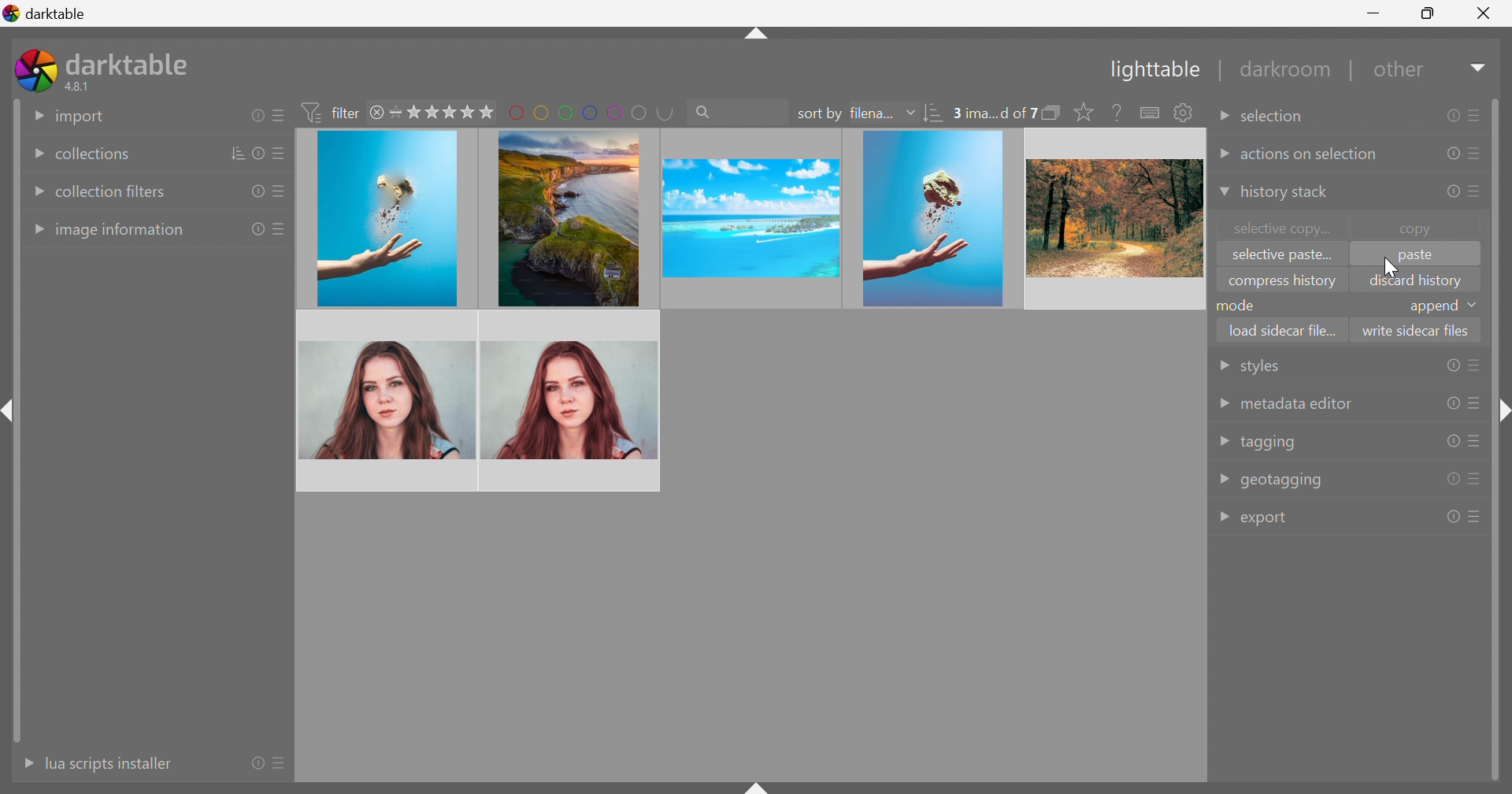  What do you see at coordinates (283, 765) in the screenshot?
I see `presets` at bounding box center [283, 765].